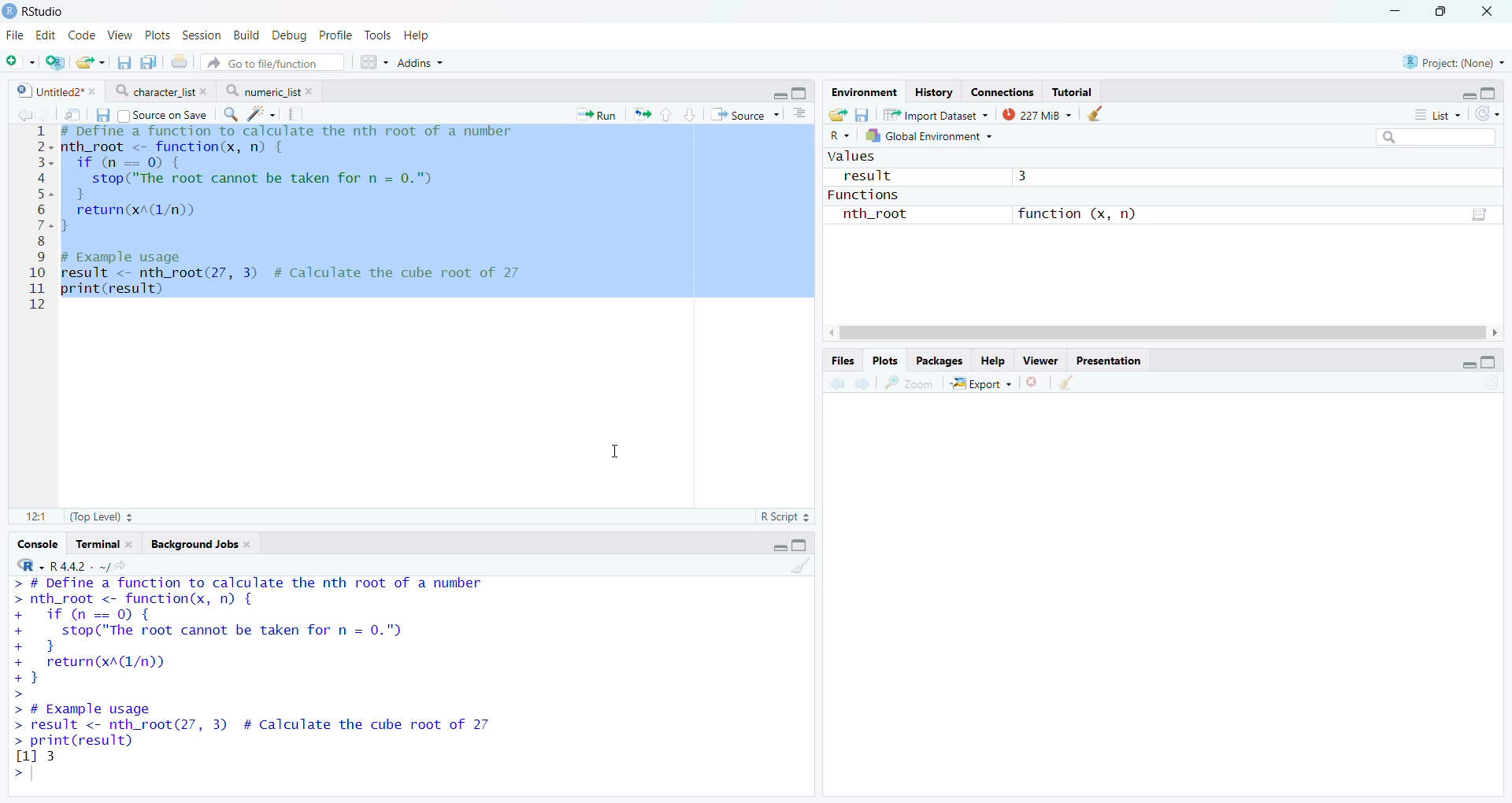 This screenshot has height=803, width=1512. What do you see at coordinates (54, 62) in the screenshot?
I see `Open new project` at bounding box center [54, 62].